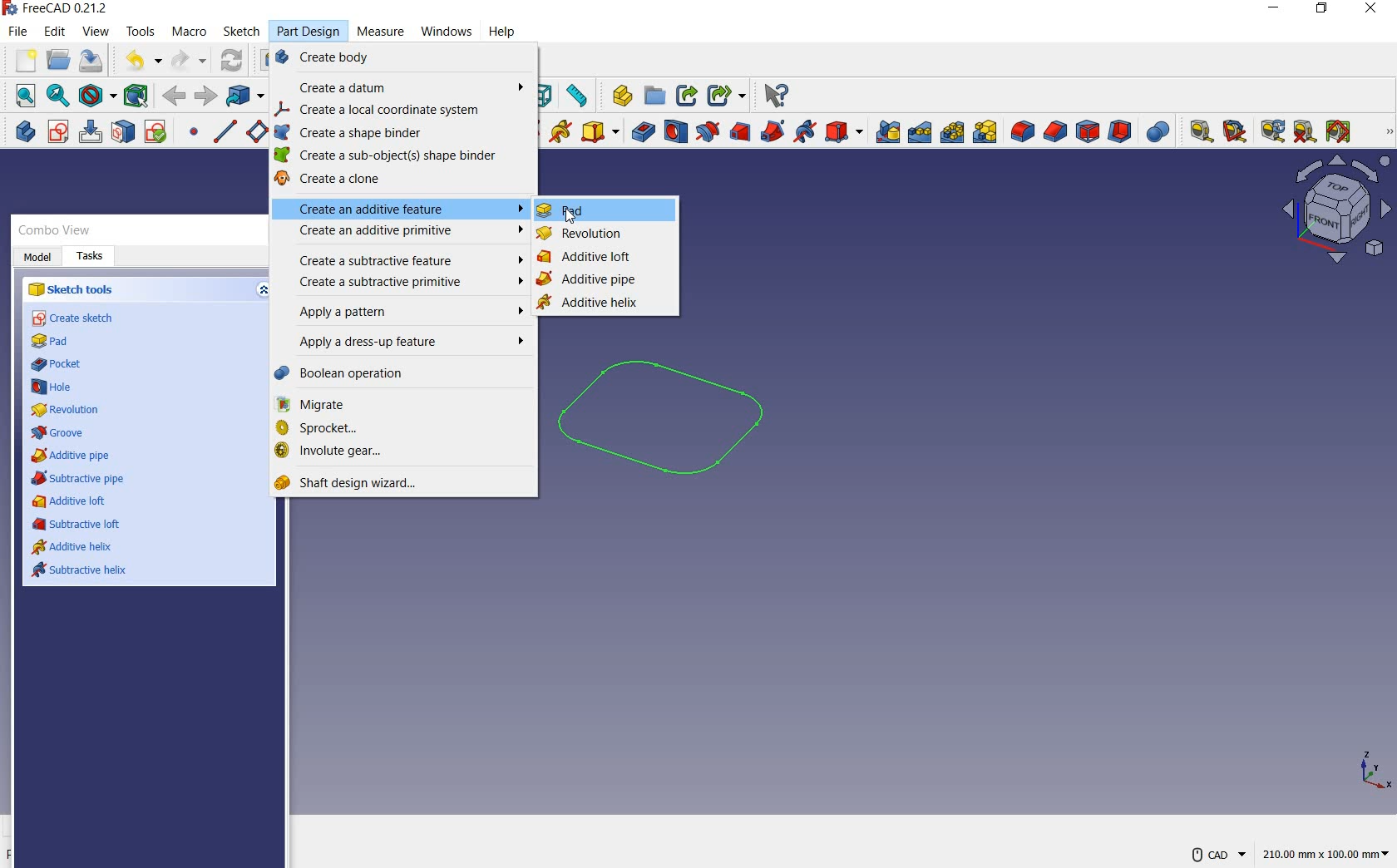  I want to click on Share, so click(689, 95).